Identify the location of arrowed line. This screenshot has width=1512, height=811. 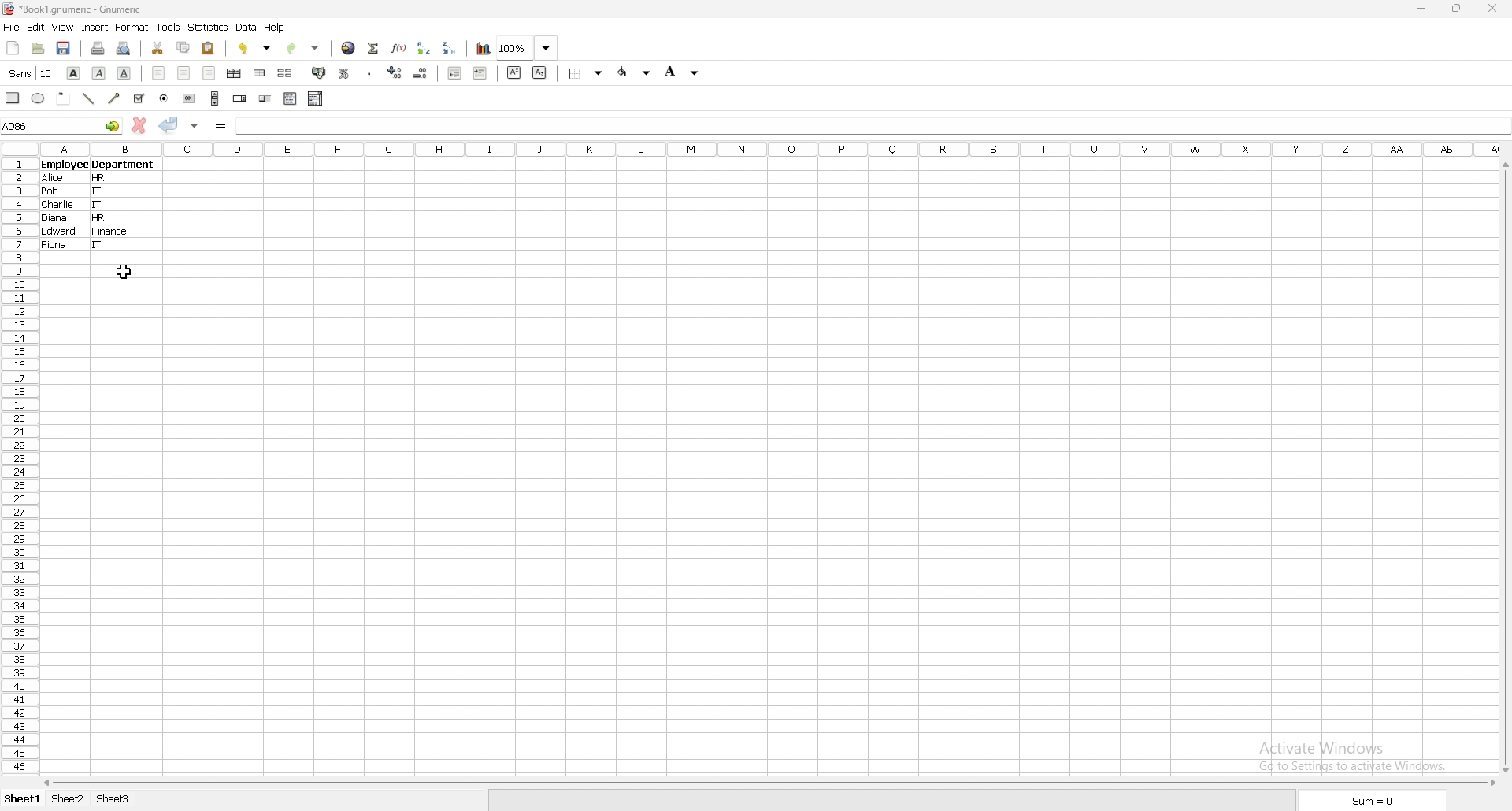
(114, 98).